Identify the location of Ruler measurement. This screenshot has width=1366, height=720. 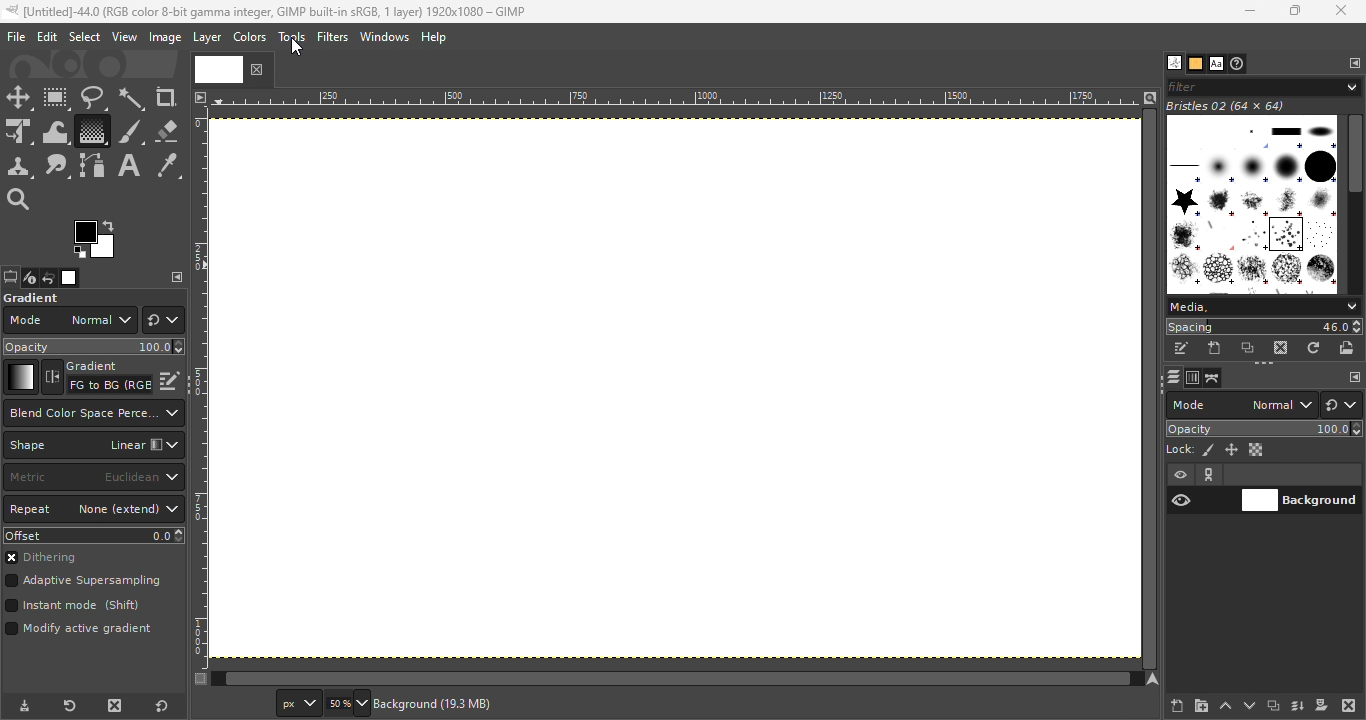
(295, 704).